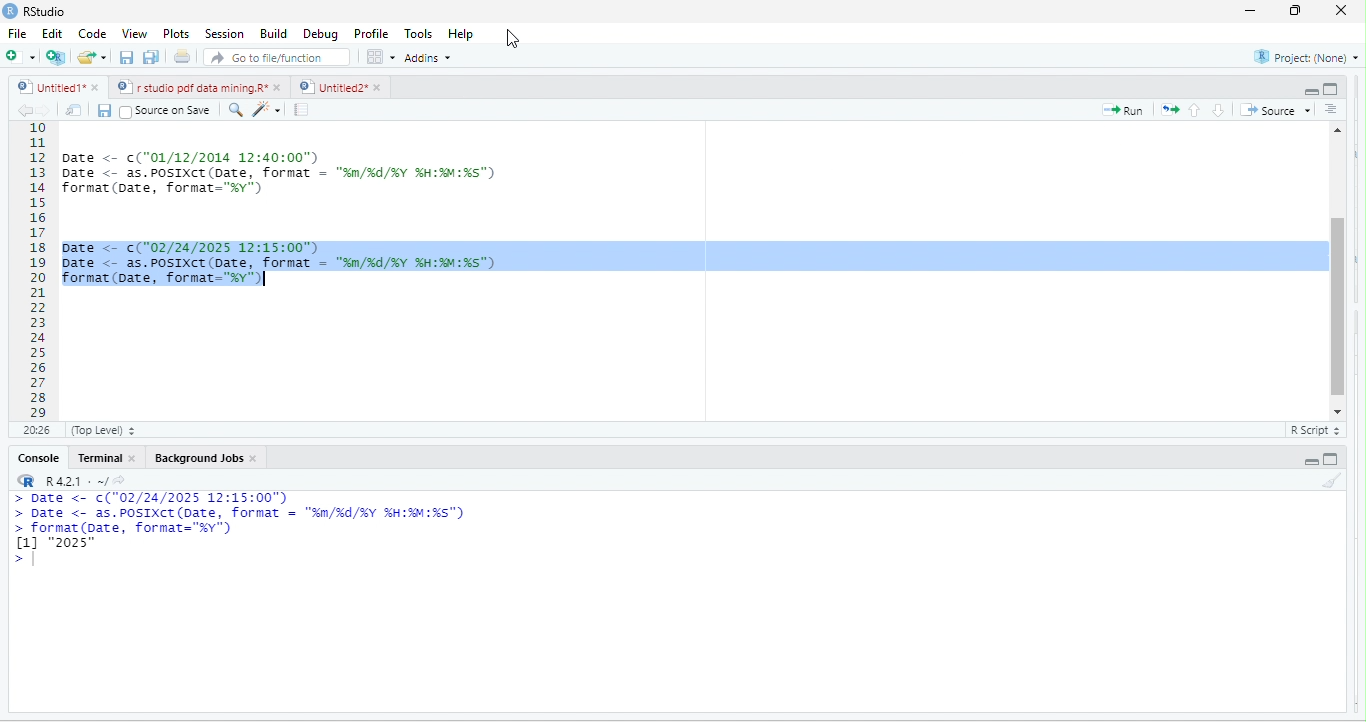 The image size is (1366, 722). I want to click on hide console, so click(1334, 89).